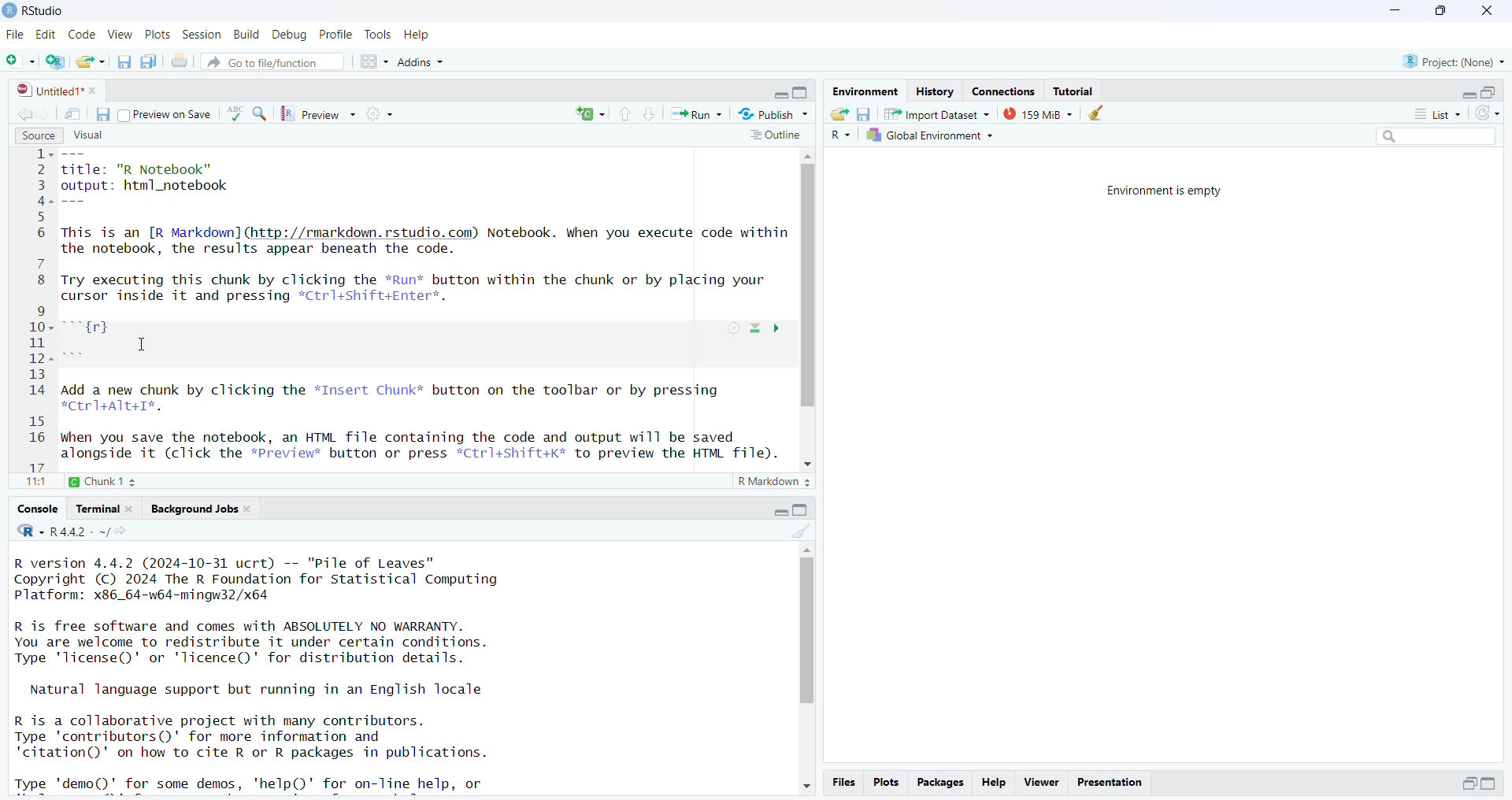  What do you see at coordinates (103, 113) in the screenshot?
I see `save current document` at bounding box center [103, 113].